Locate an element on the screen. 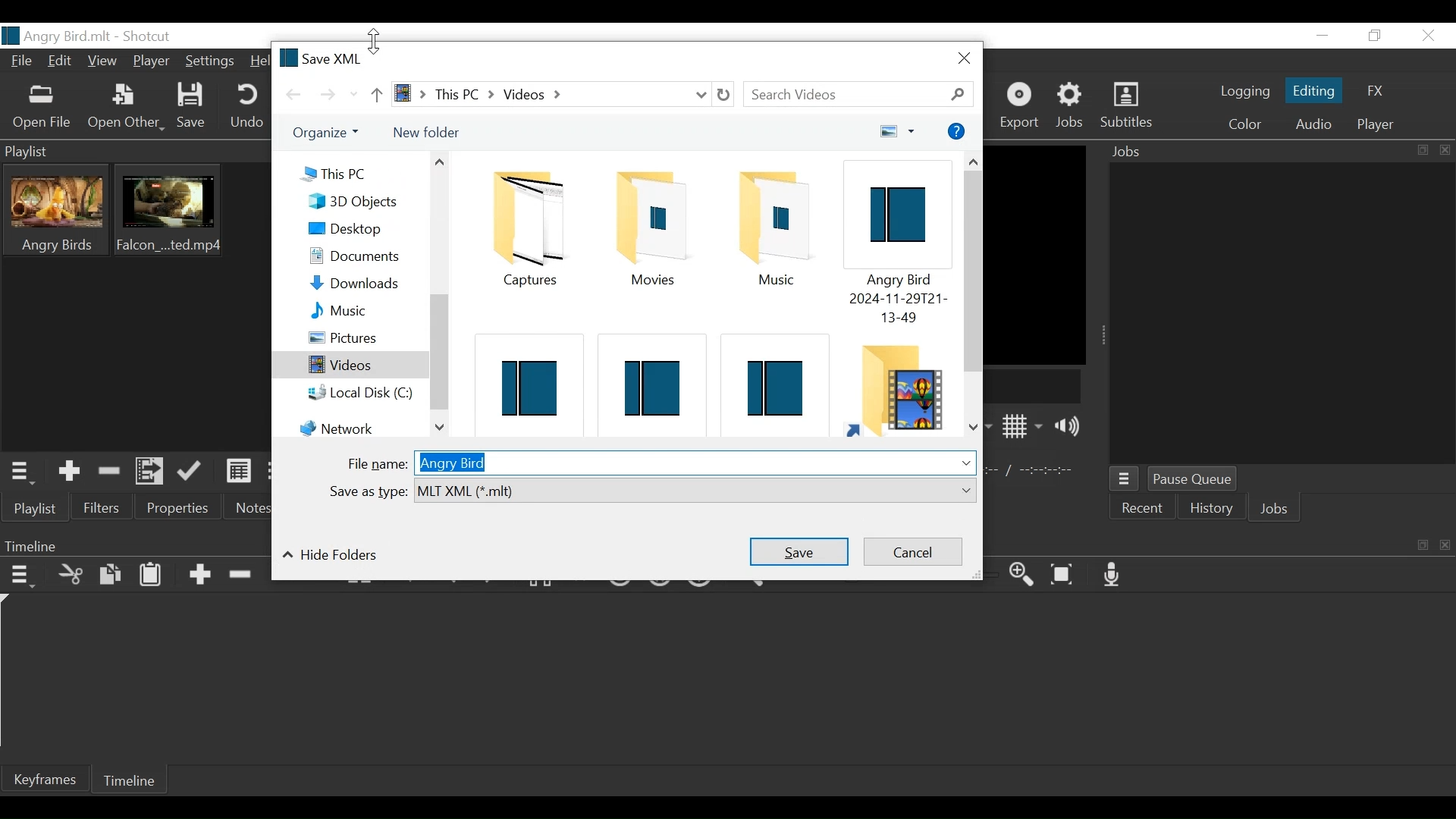 The width and height of the screenshot is (1456, 819). Folder is located at coordinates (524, 228).